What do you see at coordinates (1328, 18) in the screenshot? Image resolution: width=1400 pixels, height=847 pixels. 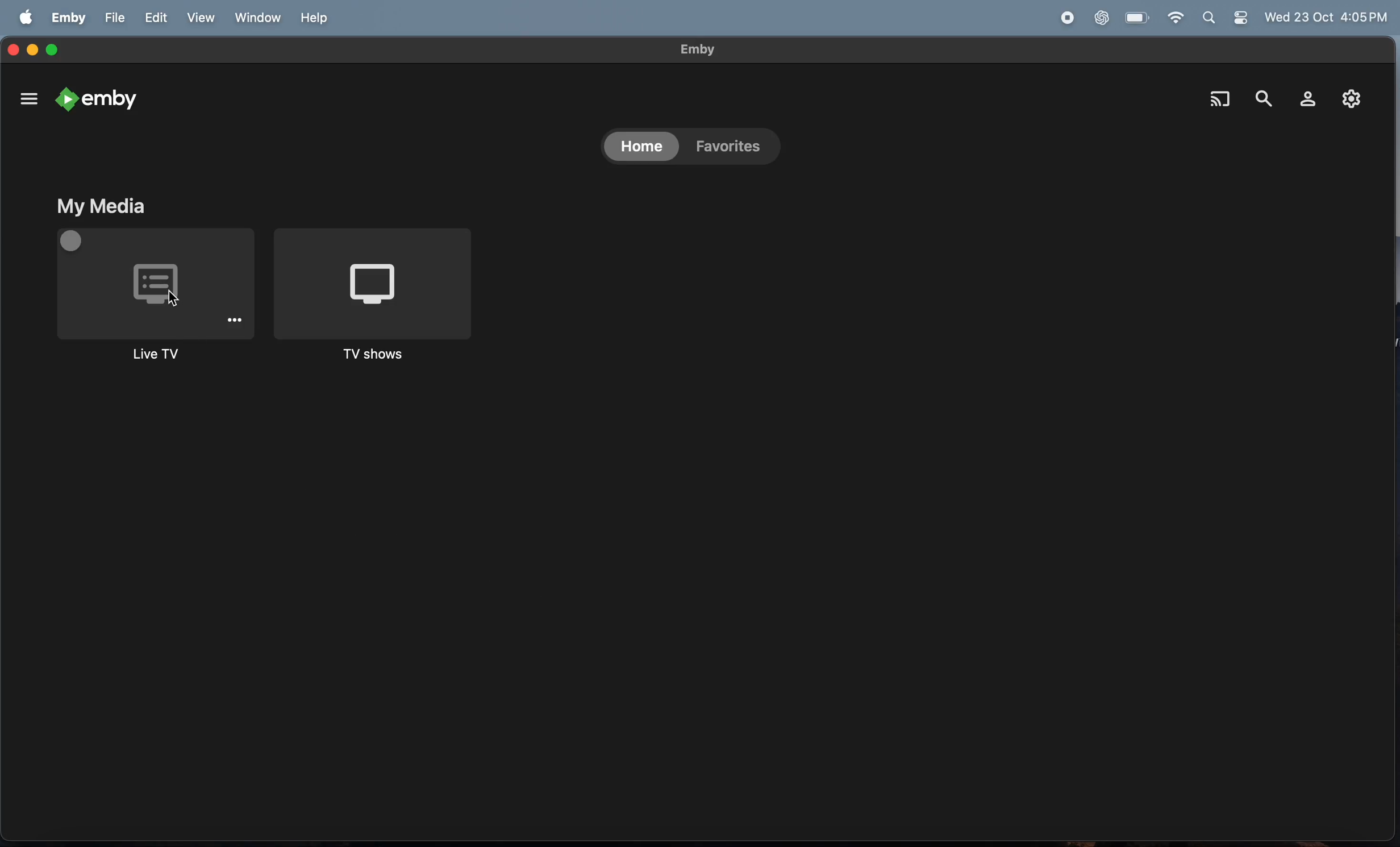 I see `time and date` at bounding box center [1328, 18].